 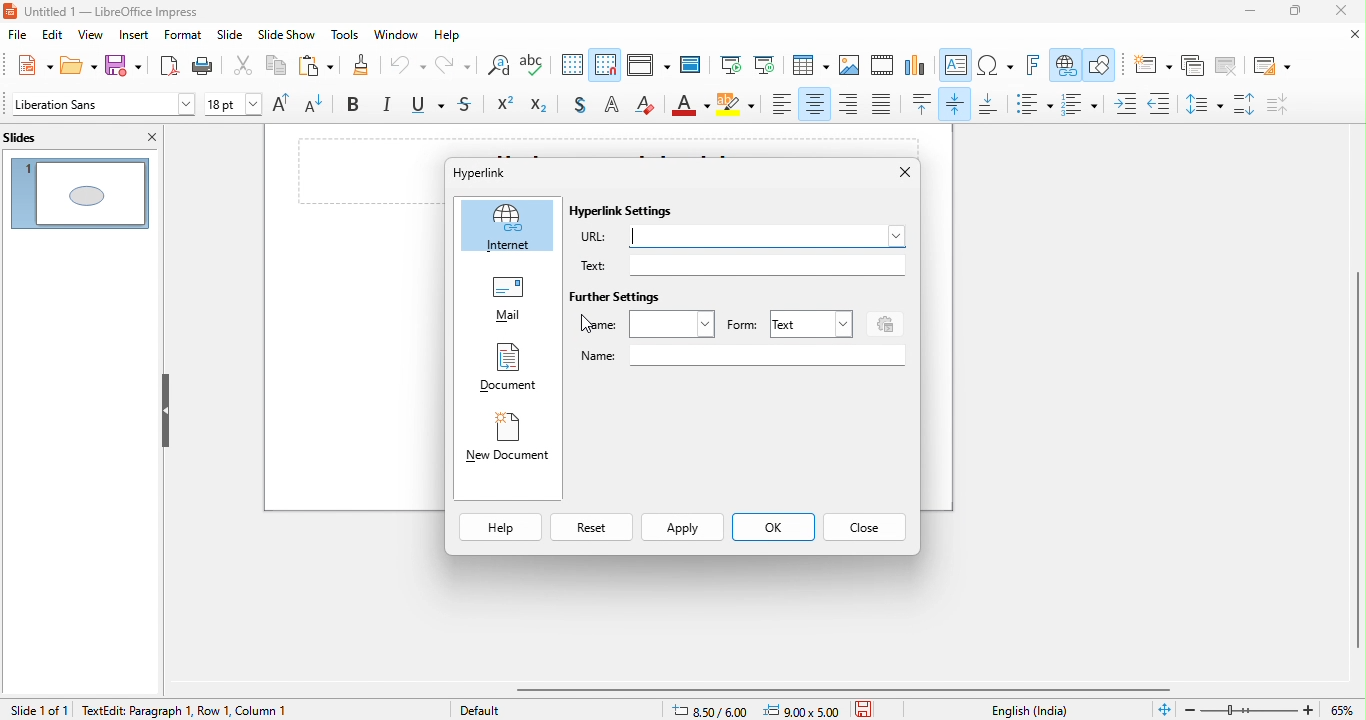 I want to click on decrease paragraph spacing, so click(x=1290, y=104).